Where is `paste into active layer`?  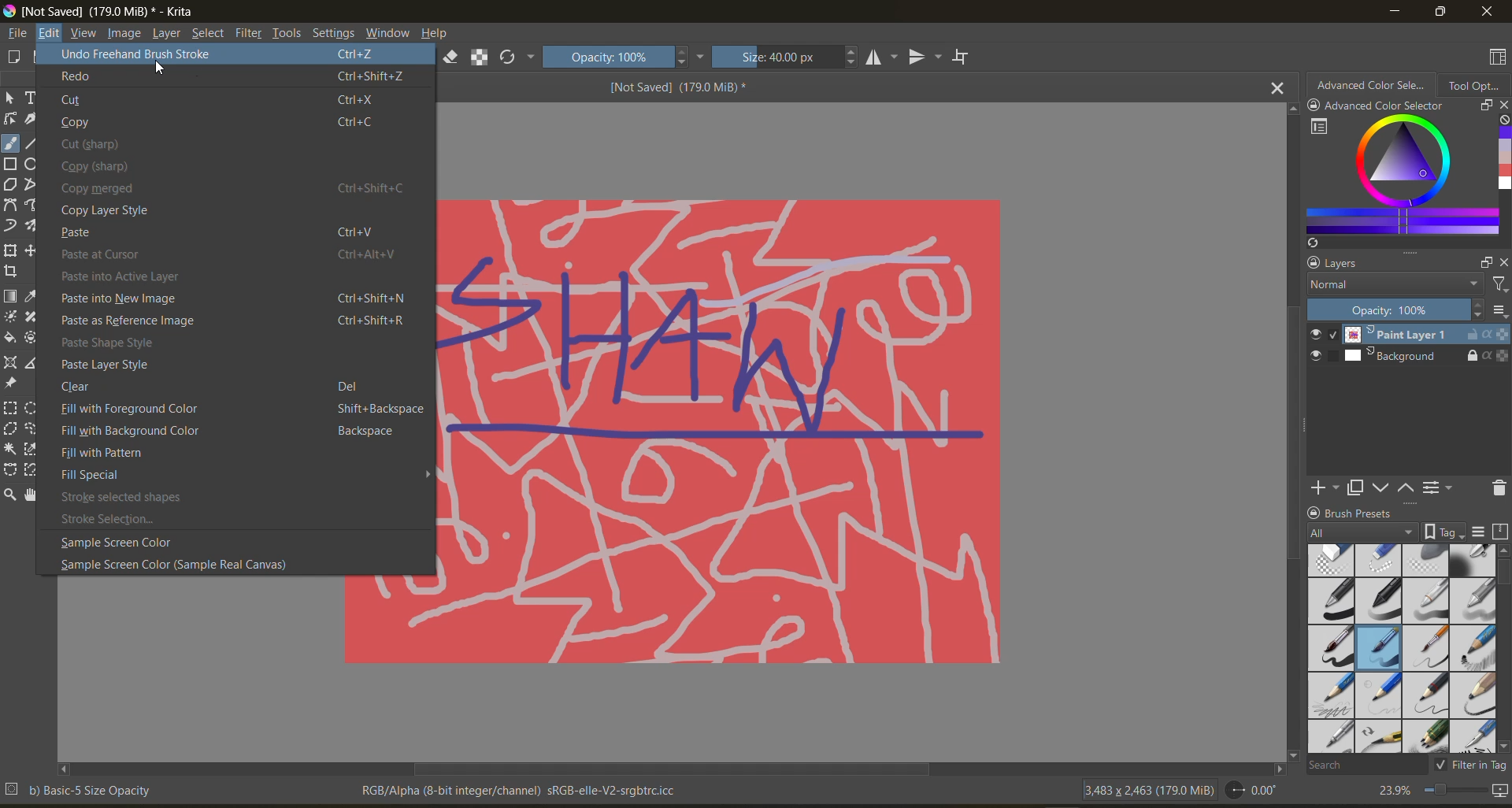
paste into active layer is located at coordinates (133, 276).